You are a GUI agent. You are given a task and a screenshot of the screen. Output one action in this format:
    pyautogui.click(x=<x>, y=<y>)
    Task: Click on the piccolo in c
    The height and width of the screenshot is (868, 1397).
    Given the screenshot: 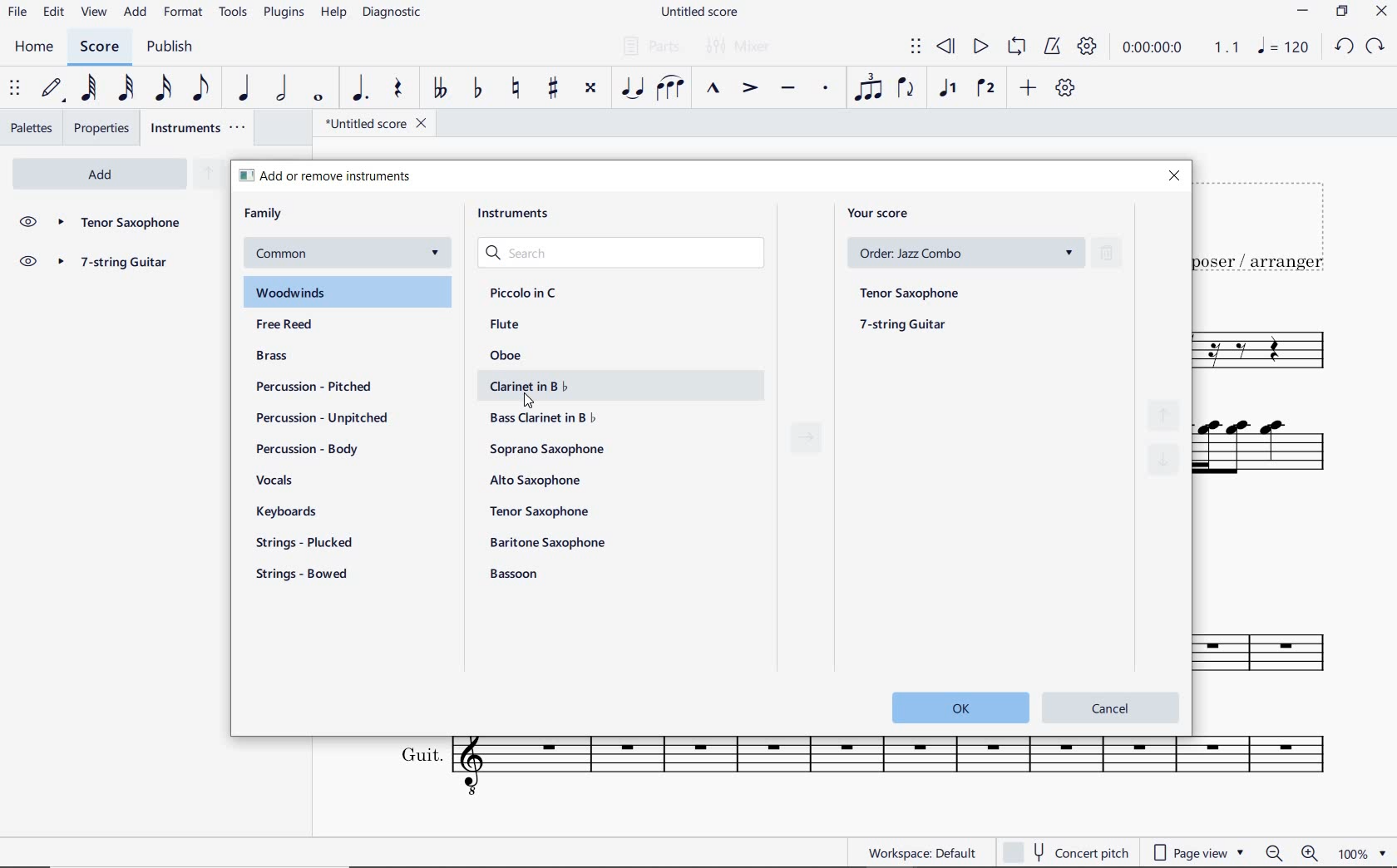 What is the action you would take?
    pyautogui.click(x=525, y=293)
    